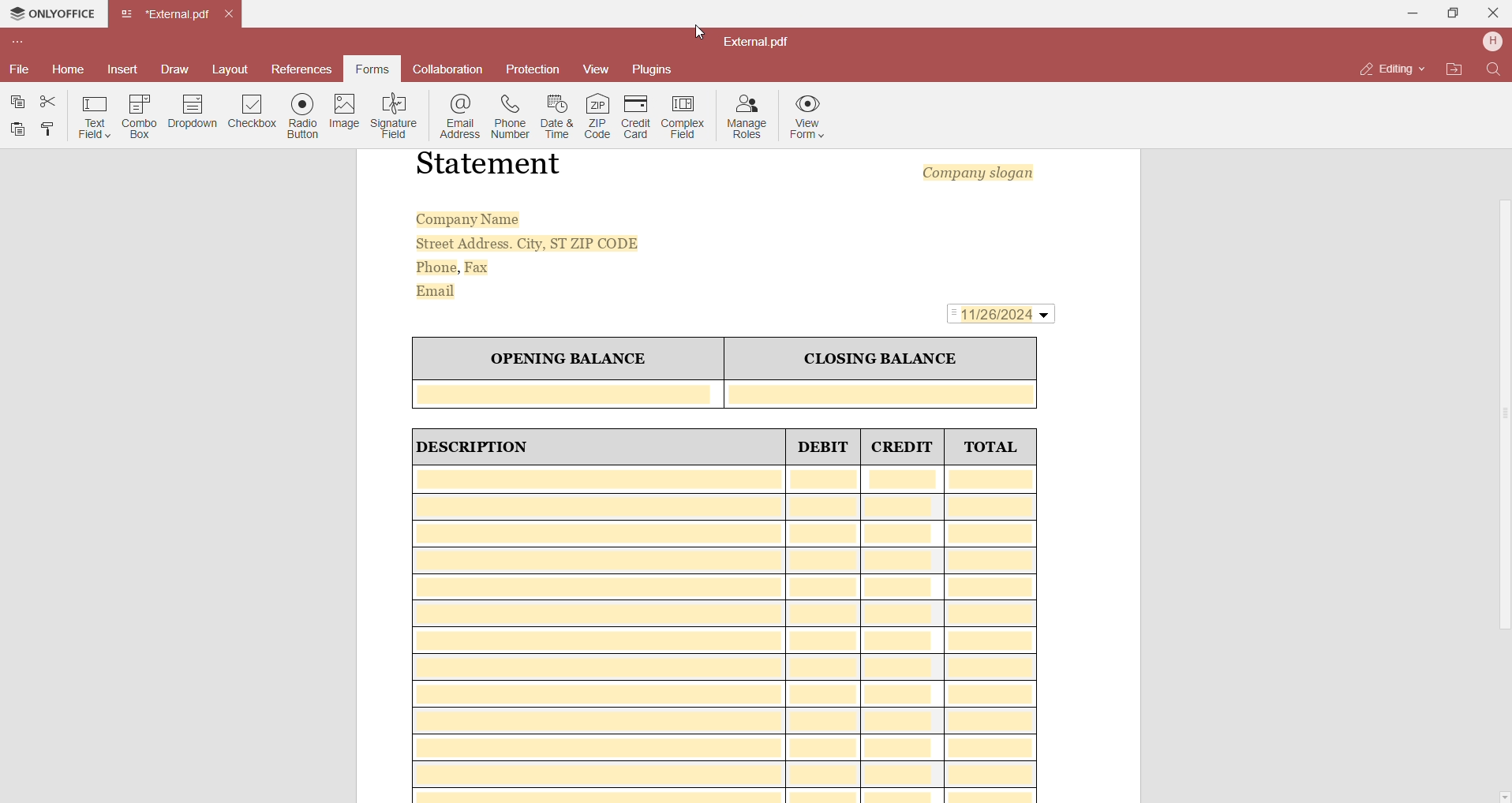  Describe the element at coordinates (94, 118) in the screenshot. I see `Text Field` at that location.